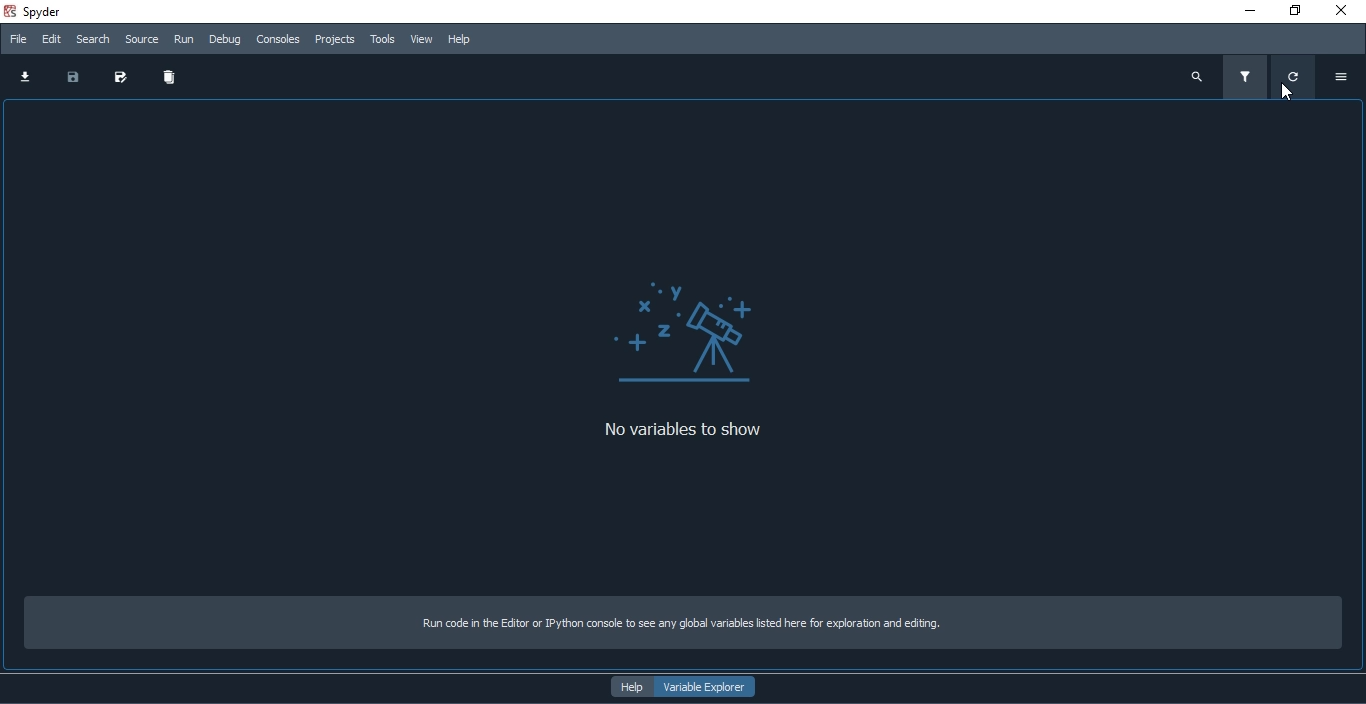 Image resolution: width=1366 pixels, height=704 pixels. What do you see at coordinates (166, 79) in the screenshot?
I see `delete` at bounding box center [166, 79].